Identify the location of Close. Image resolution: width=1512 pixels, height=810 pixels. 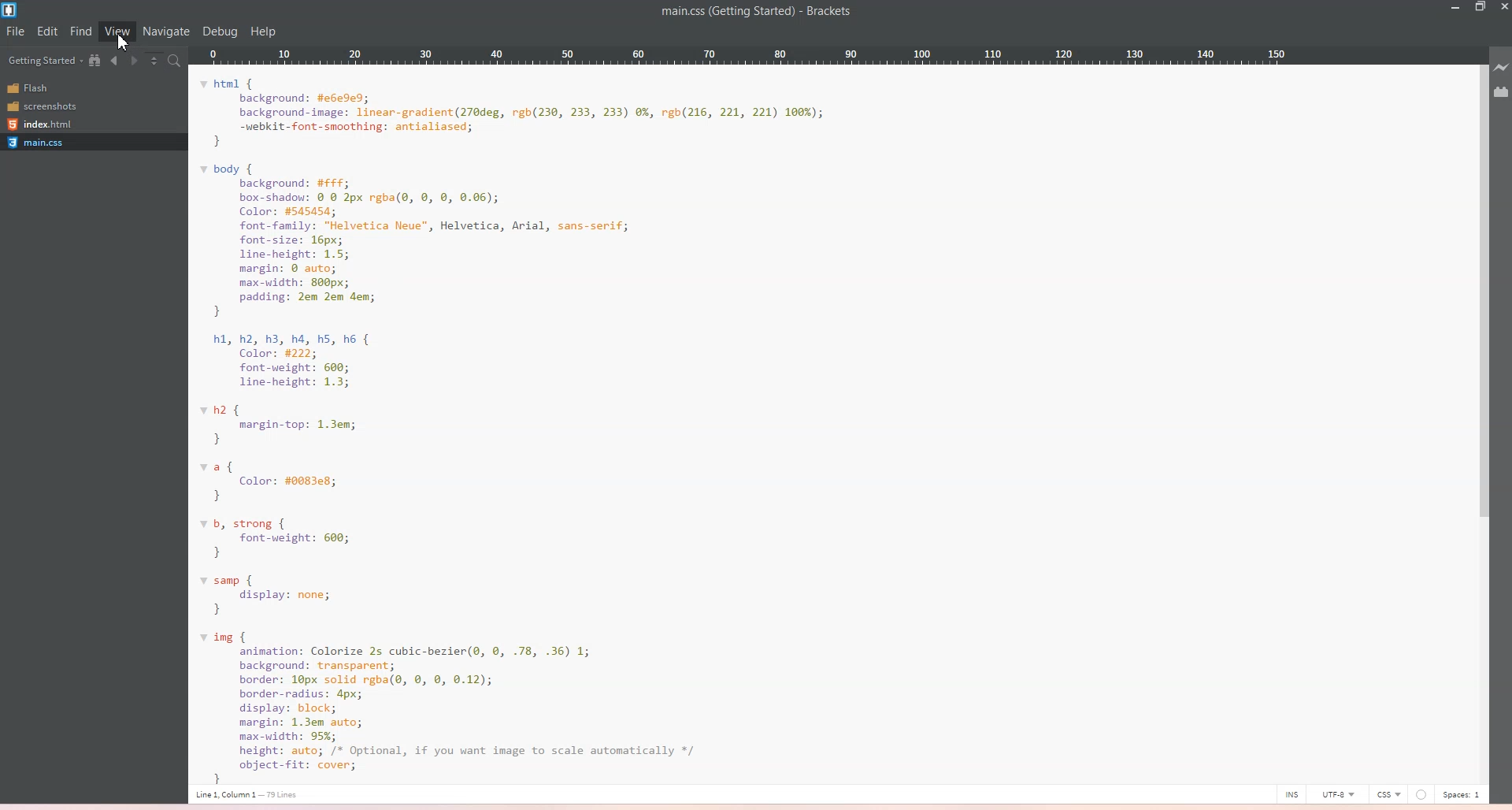
(1503, 8).